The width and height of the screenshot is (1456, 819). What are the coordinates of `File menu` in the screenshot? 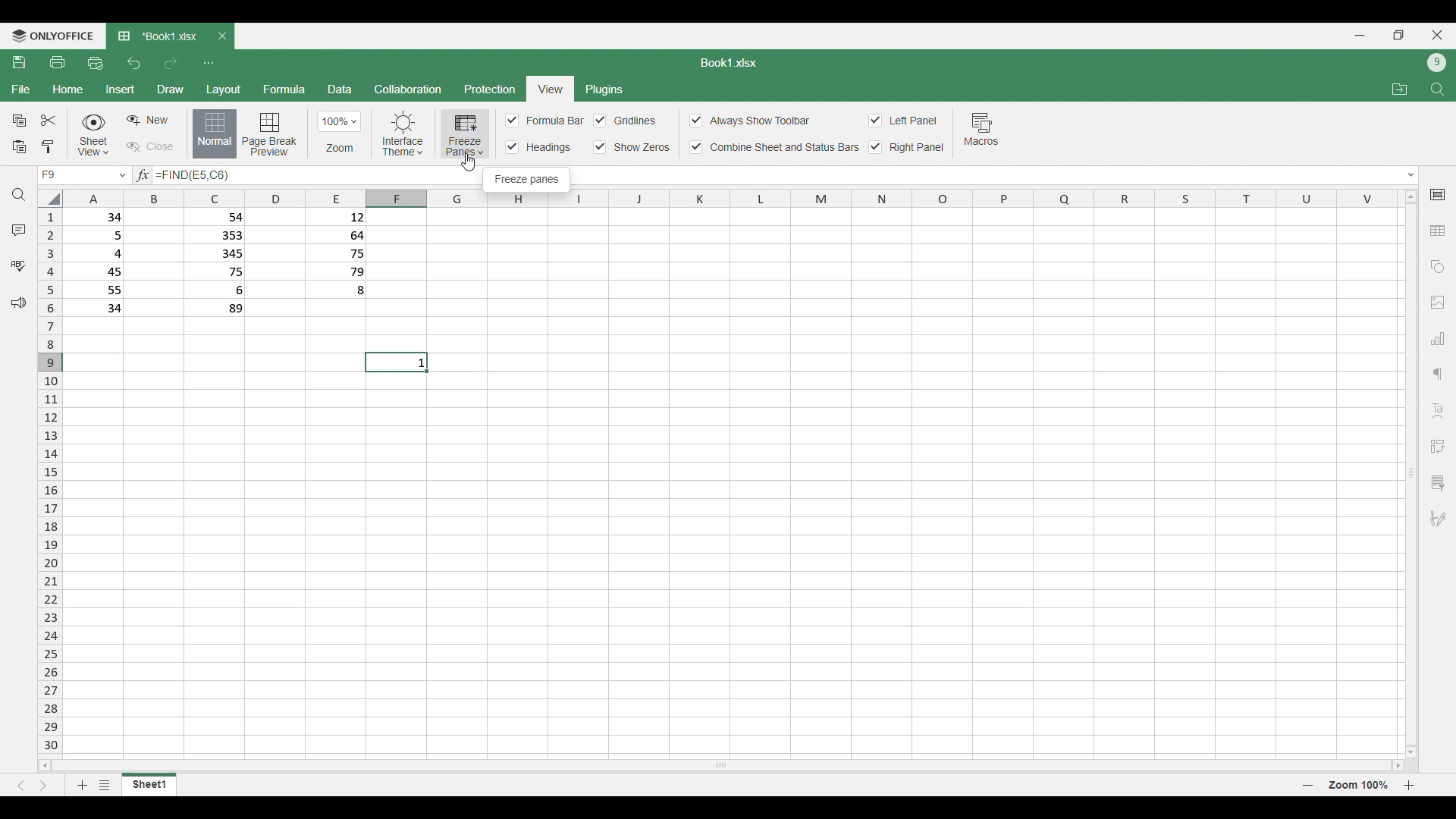 It's located at (21, 89).